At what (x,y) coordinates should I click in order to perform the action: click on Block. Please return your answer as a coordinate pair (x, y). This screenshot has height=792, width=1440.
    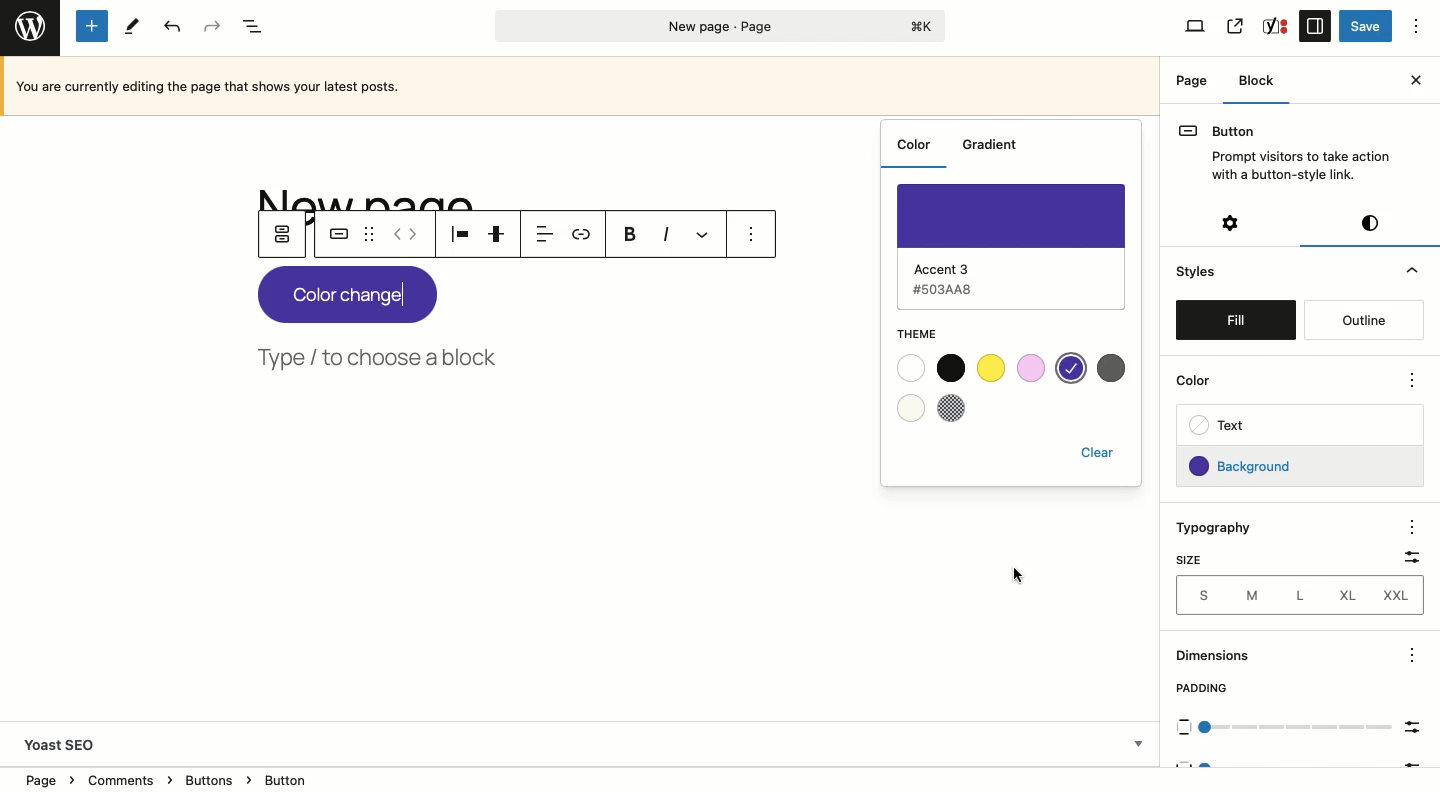
    Looking at the image, I should click on (1257, 87).